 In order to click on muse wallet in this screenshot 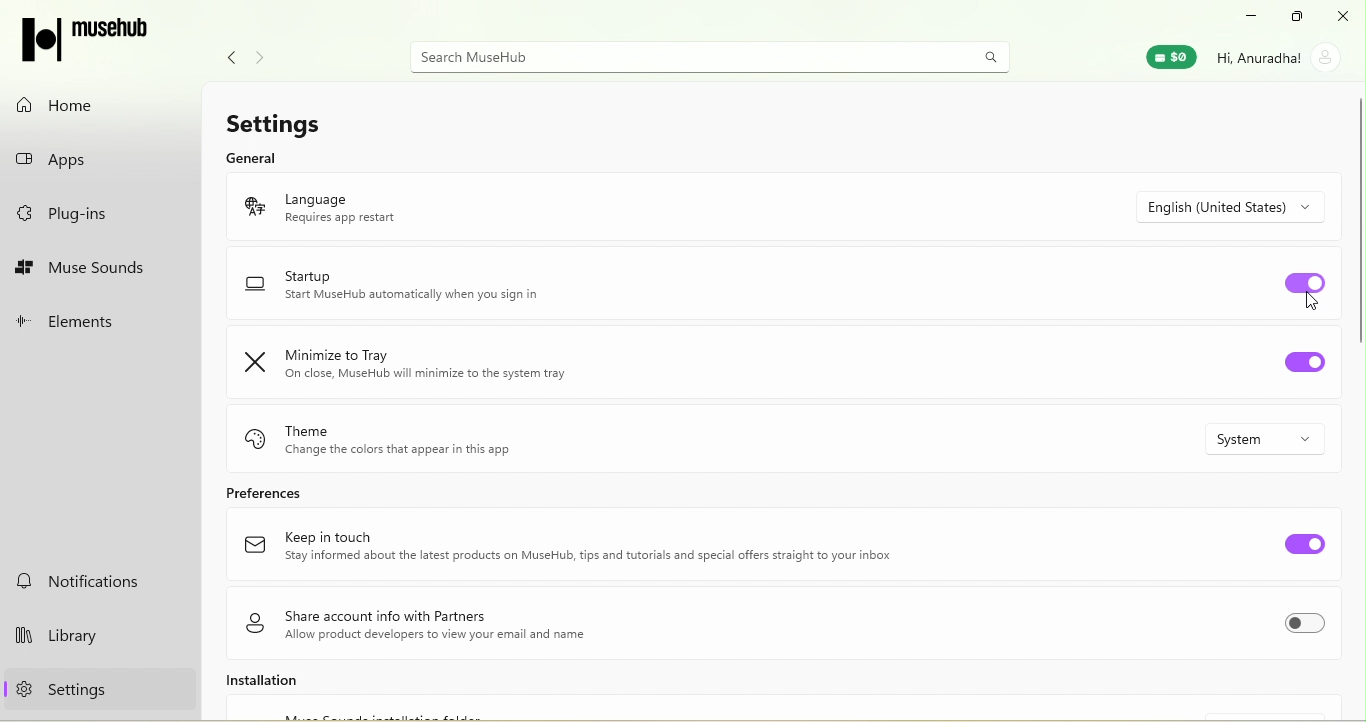, I will do `click(1166, 59)`.